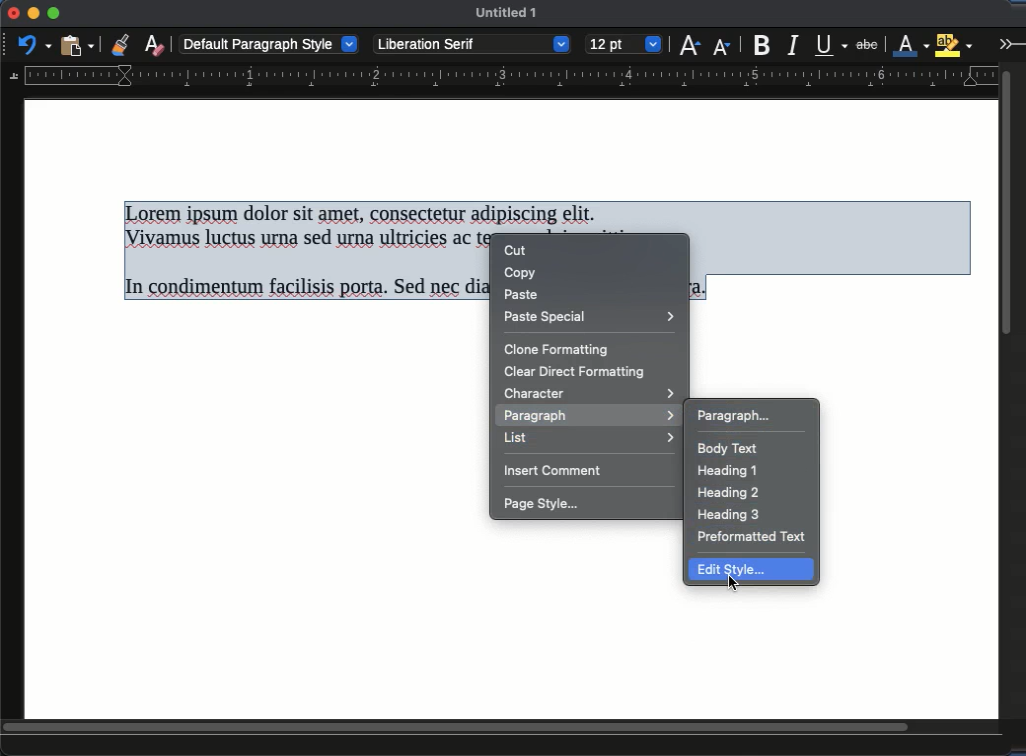 This screenshot has width=1026, height=756. Describe the element at coordinates (723, 45) in the screenshot. I see `decrease size` at that location.